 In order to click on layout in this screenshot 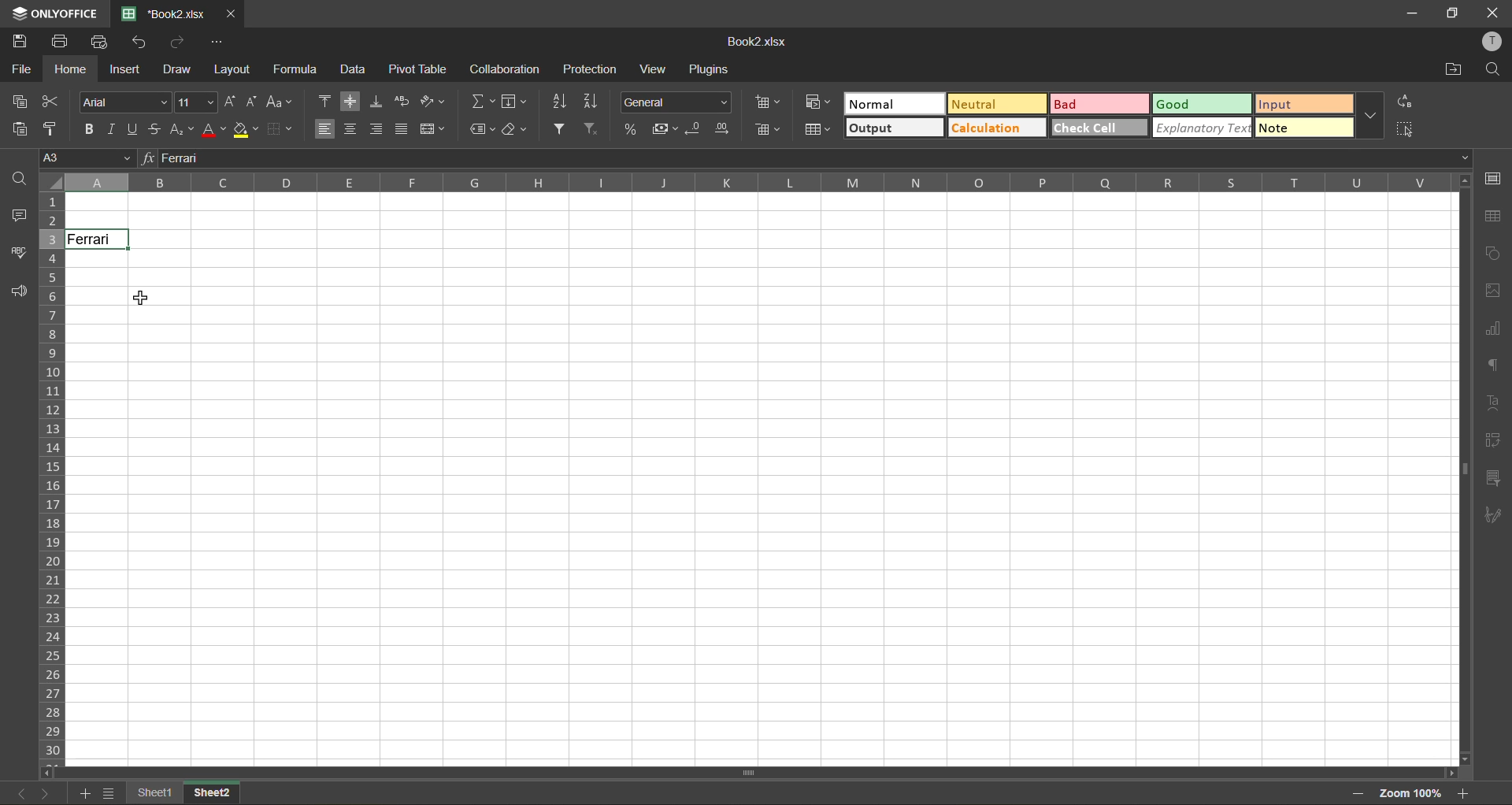, I will do `click(231, 69)`.